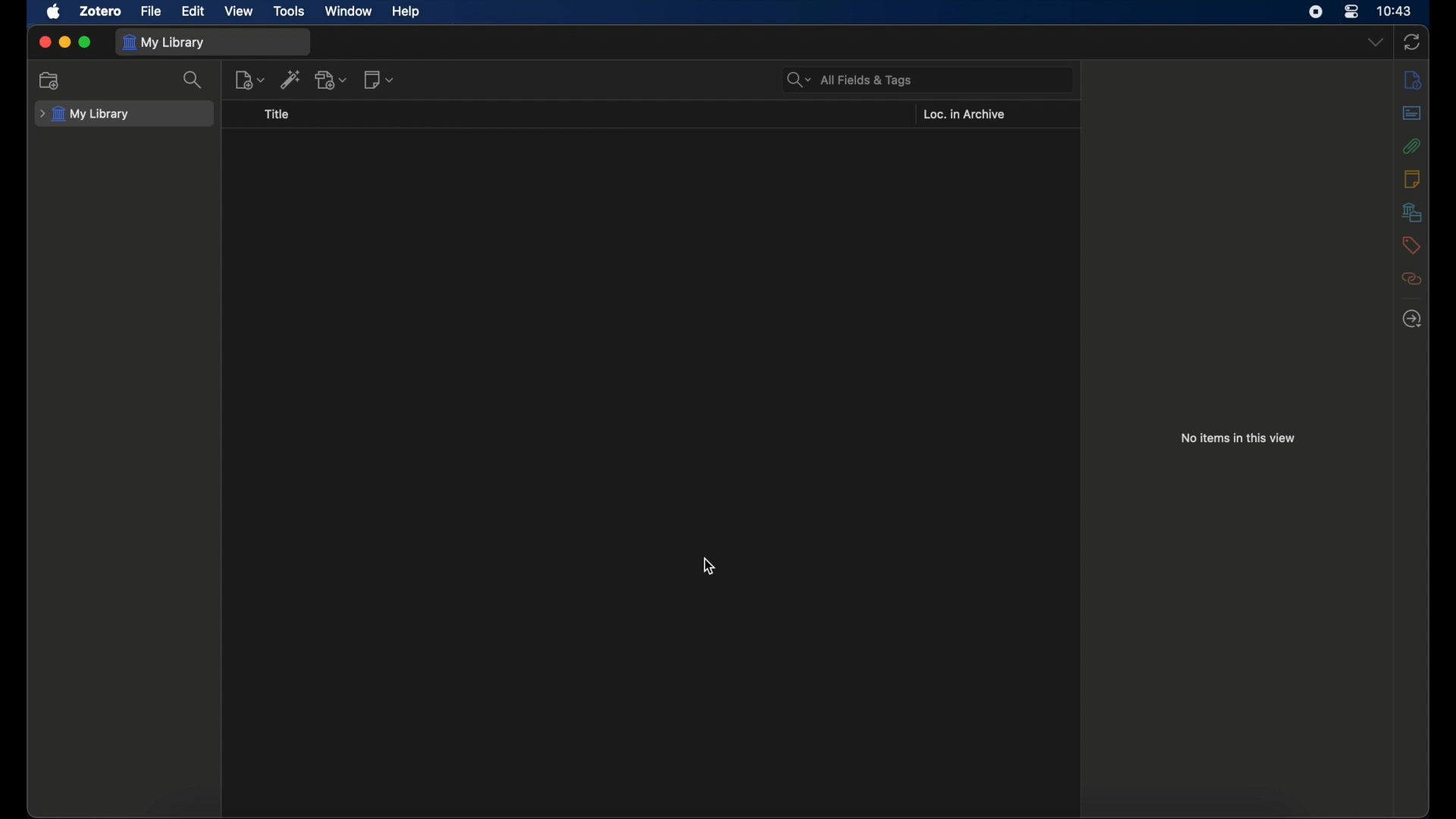  I want to click on minimize, so click(65, 42).